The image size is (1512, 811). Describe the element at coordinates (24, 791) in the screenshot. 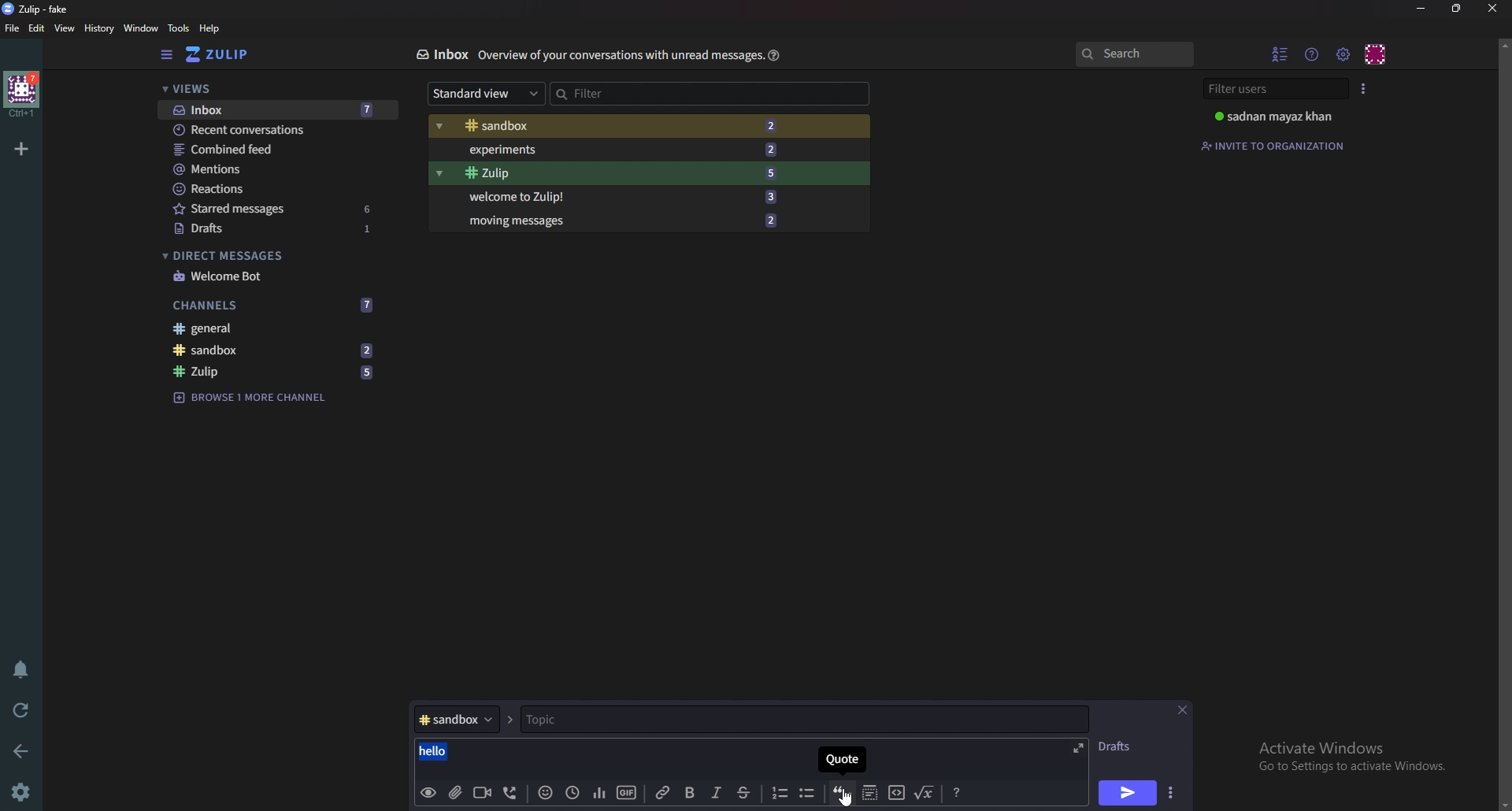

I see `settings` at that location.